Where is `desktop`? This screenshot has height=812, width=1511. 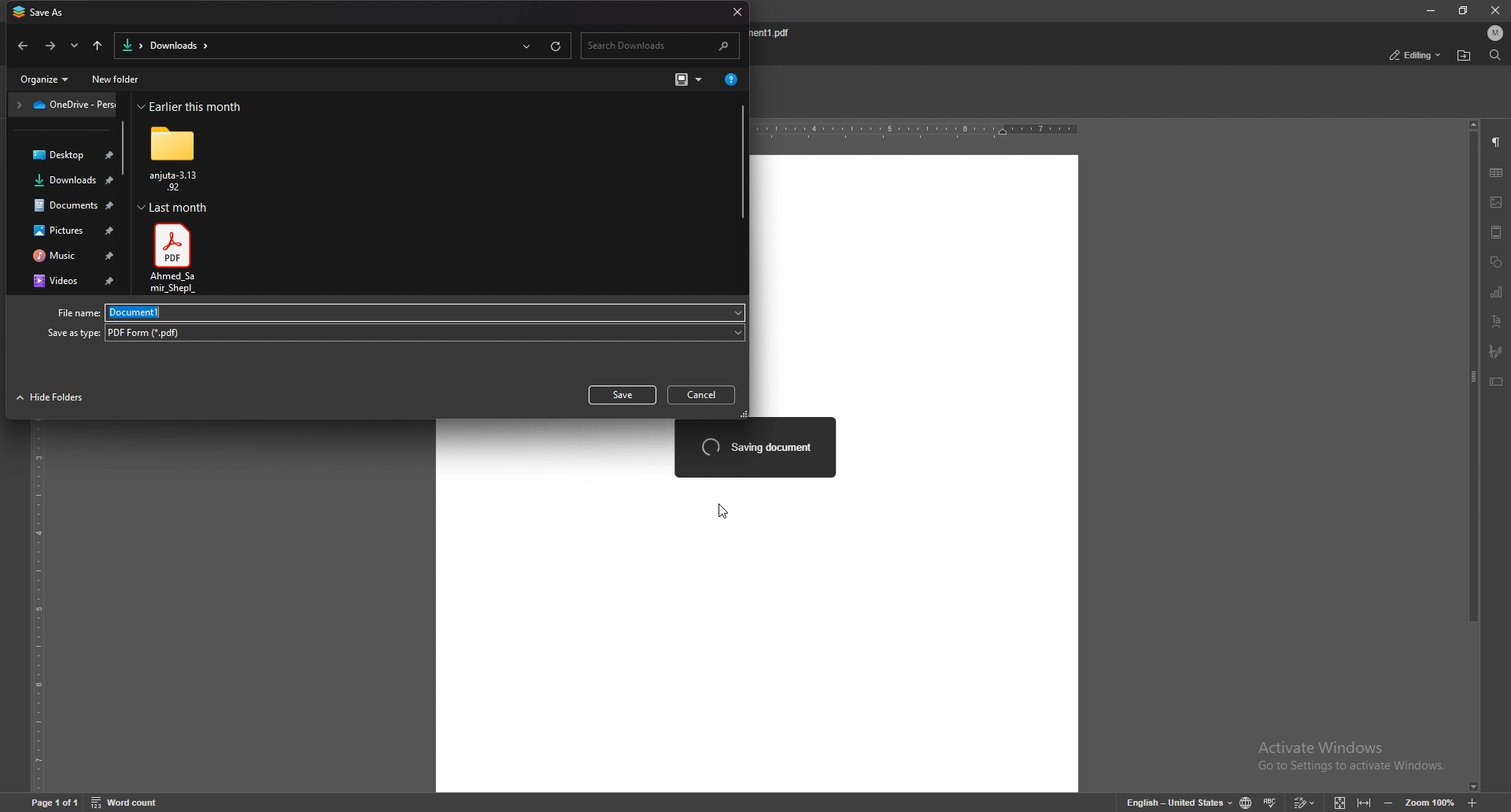 desktop is located at coordinates (64, 156).